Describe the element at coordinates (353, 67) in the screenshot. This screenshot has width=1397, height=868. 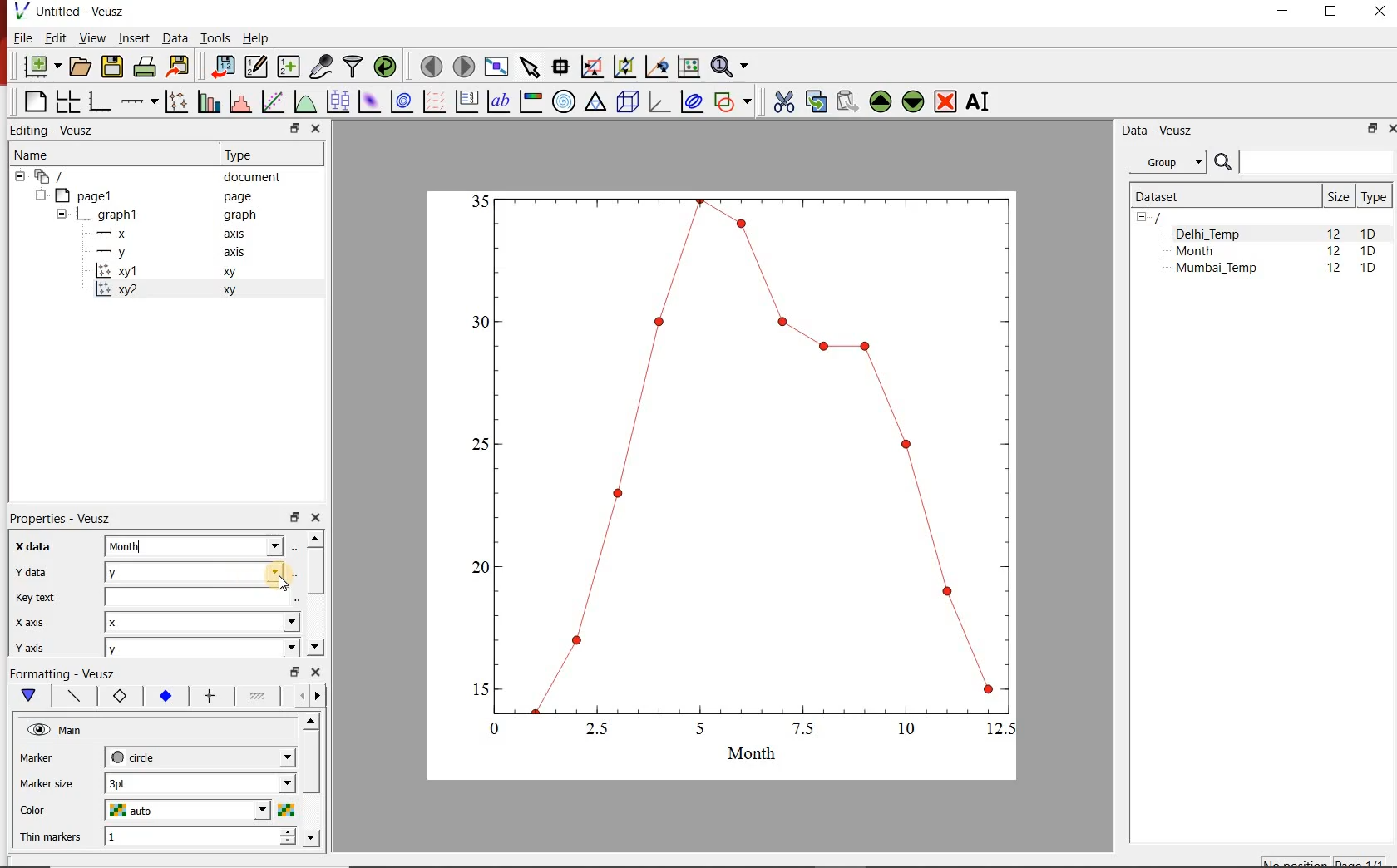
I see `filter data` at that location.